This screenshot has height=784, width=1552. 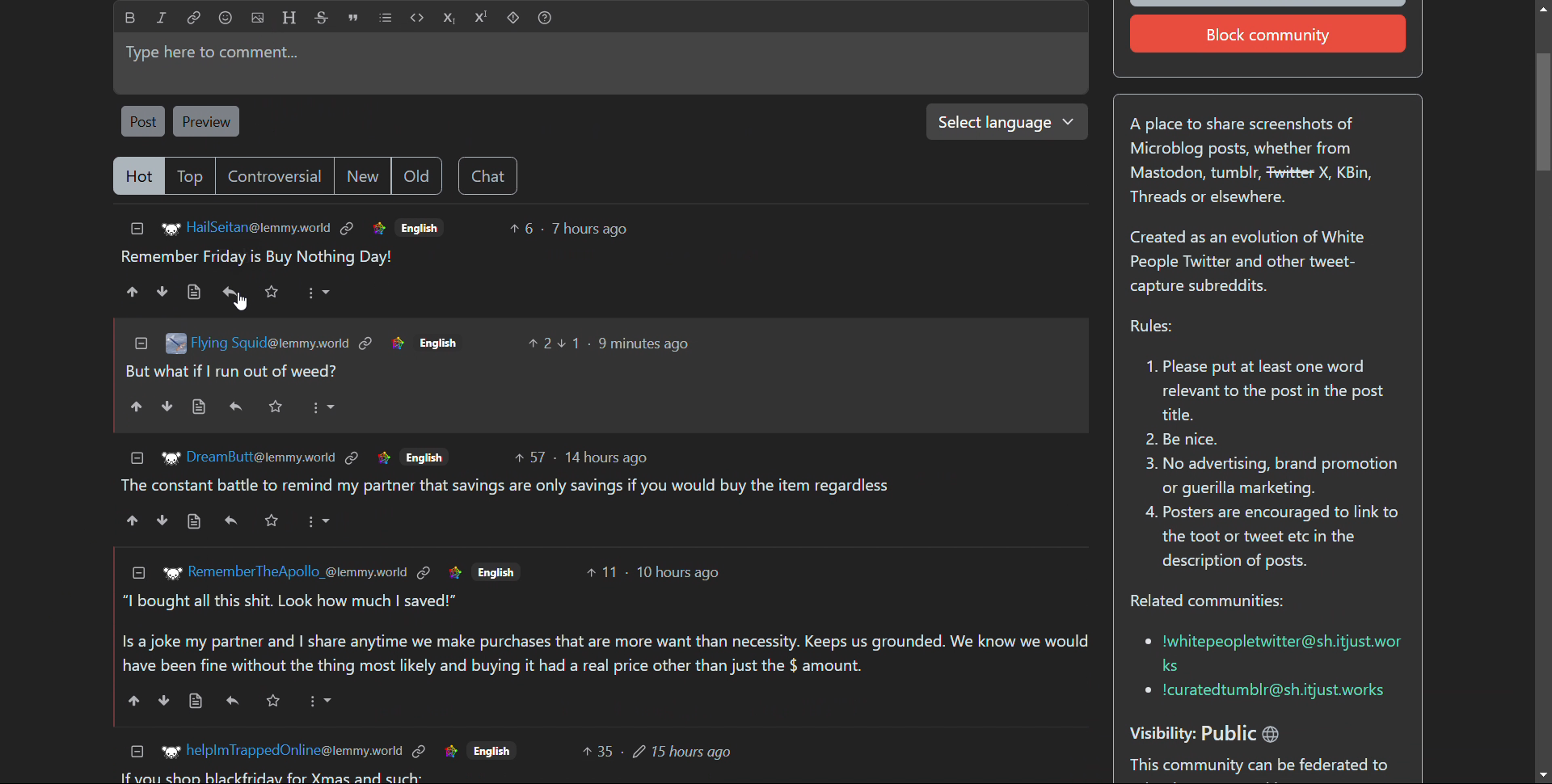 What do you see at coordinates (195, 701) in the screenshot?
I see `view source` at bounding box center [195, 701].